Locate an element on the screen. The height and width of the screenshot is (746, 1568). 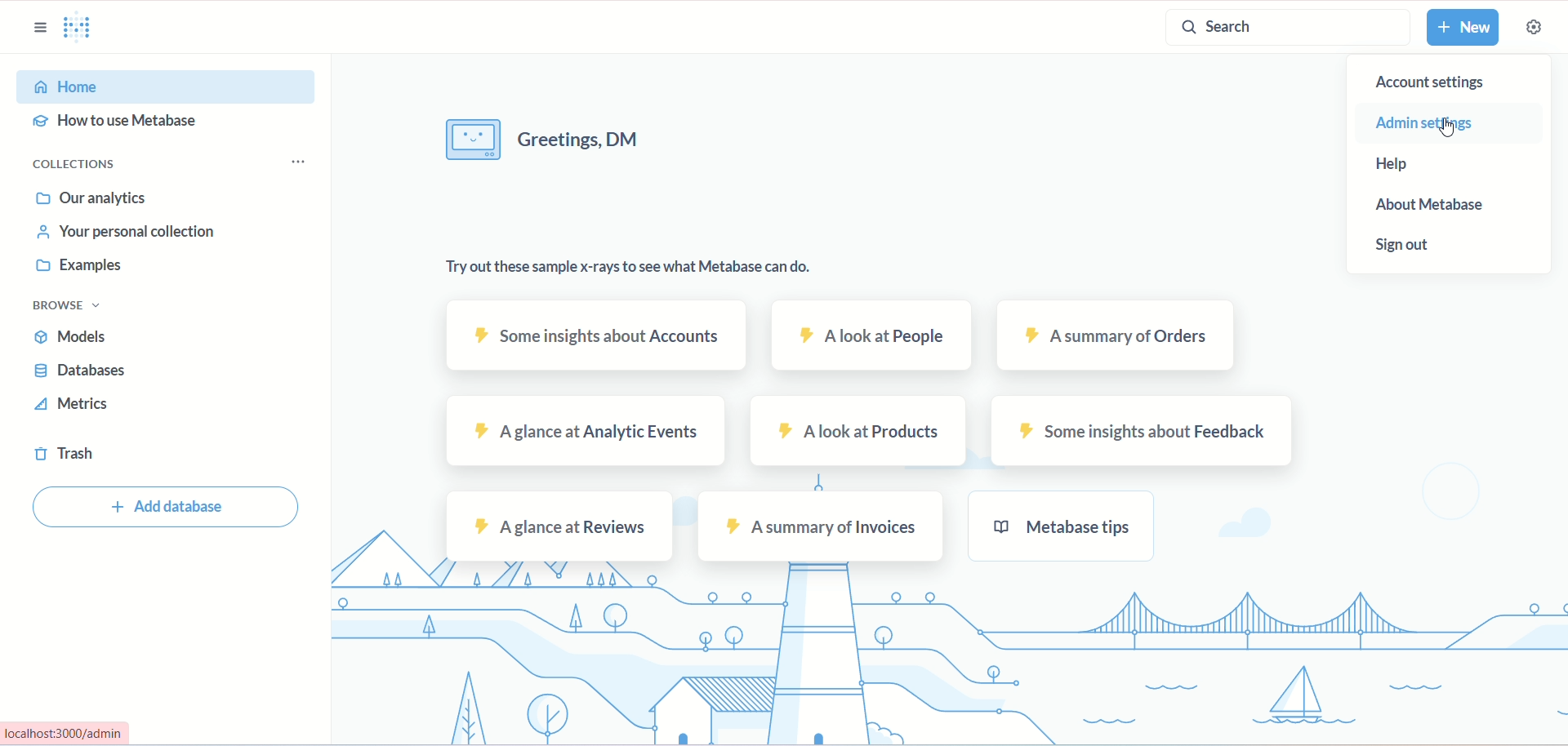
collections is located at coordinates (174, 167).